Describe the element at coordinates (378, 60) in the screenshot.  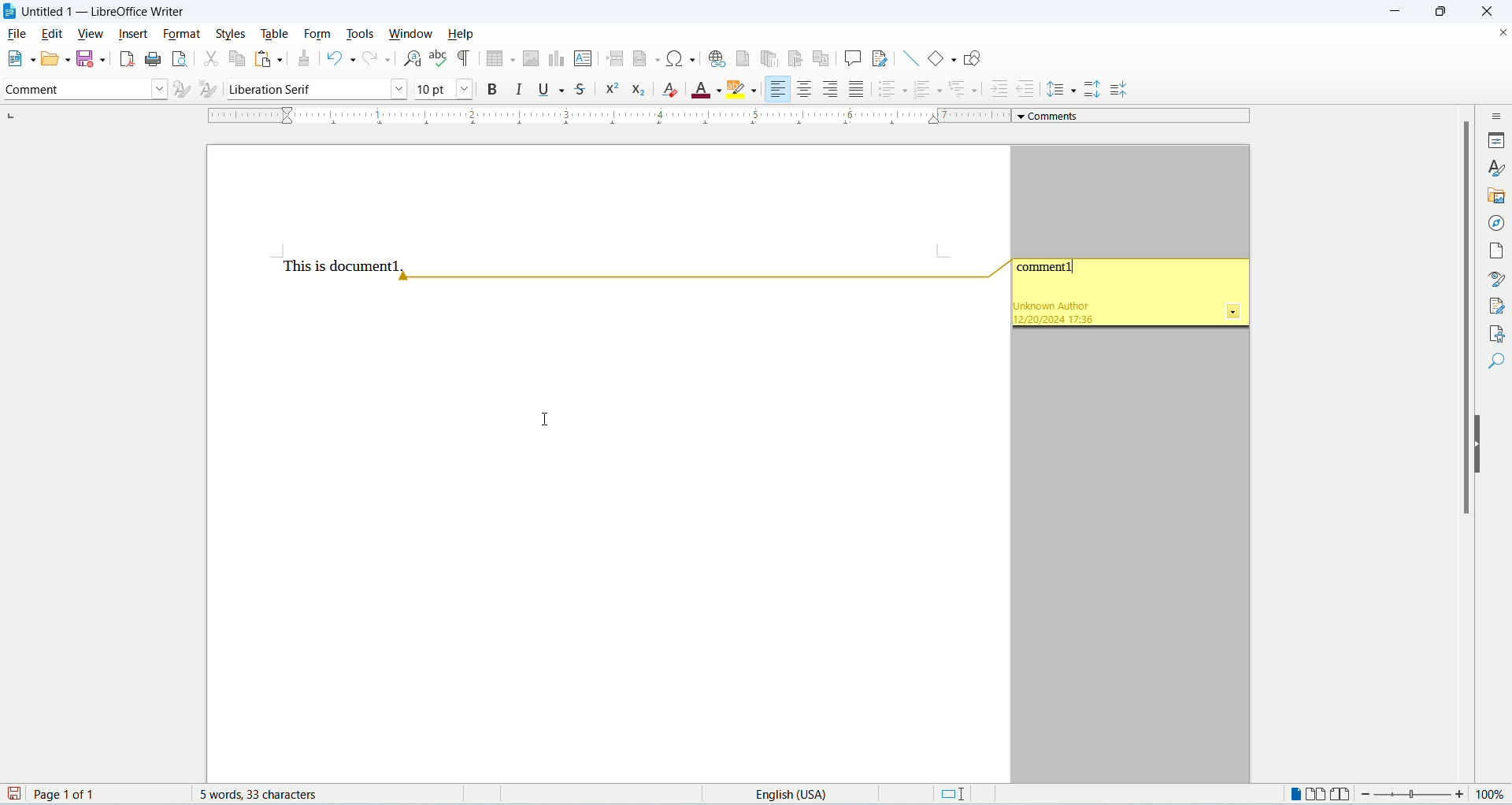
I see `redo` at that location.